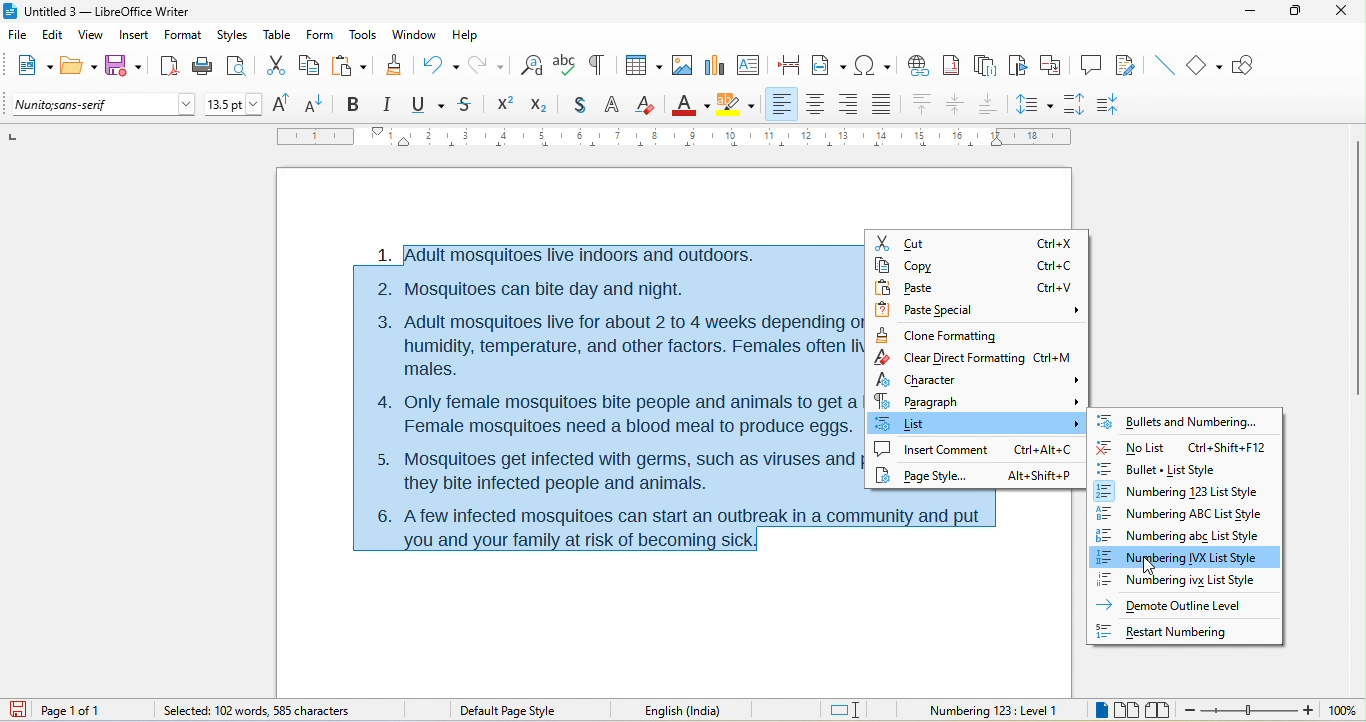 The image size is (1366, 722). Describe the element at coordinates (976, 239) in the screenshot. I see `cut` at that location.